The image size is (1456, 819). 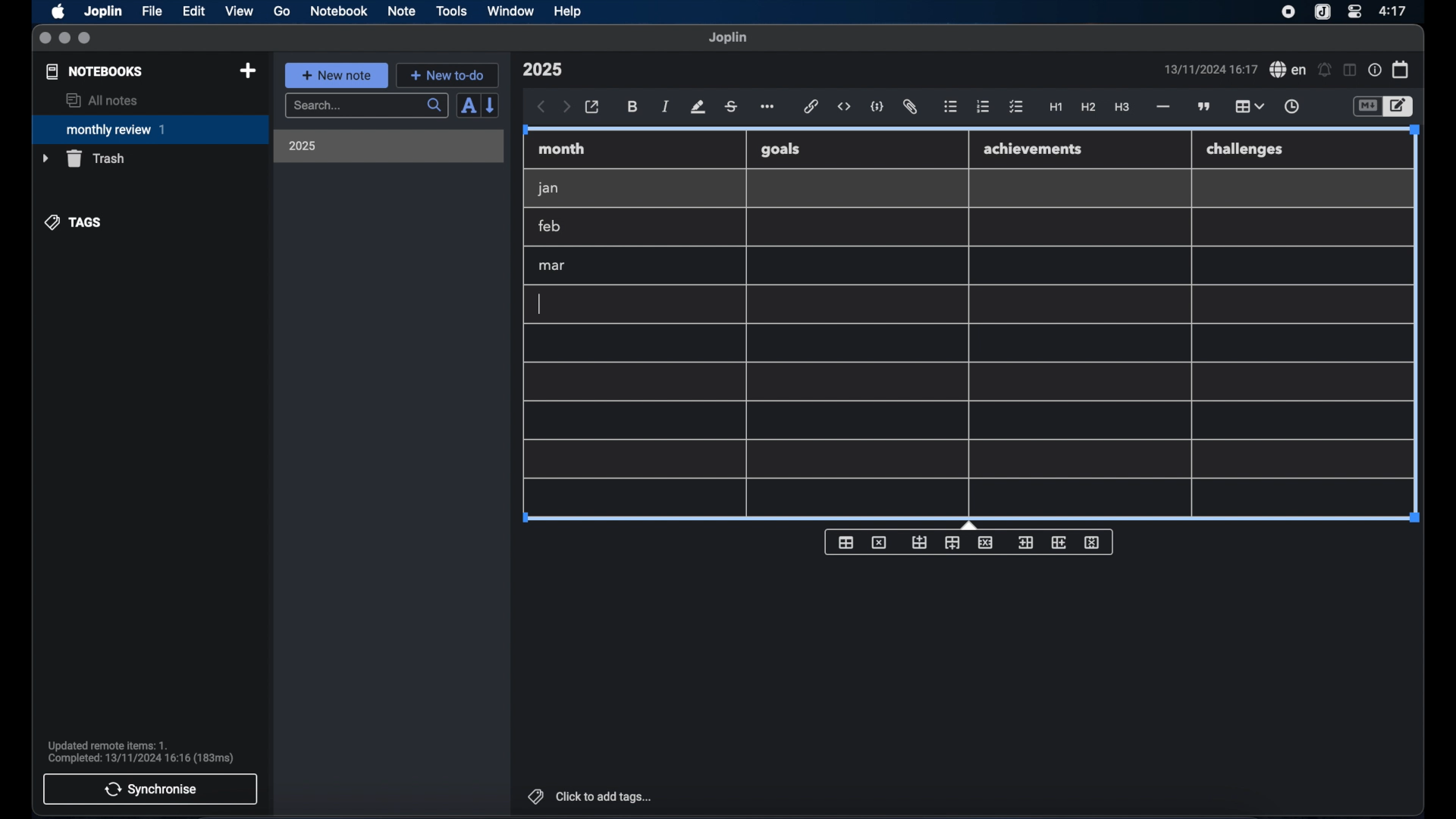 What do you see at coordinates (448, 75) in the screenshot?
I see `new to-do` at bounding box center [448, 75].